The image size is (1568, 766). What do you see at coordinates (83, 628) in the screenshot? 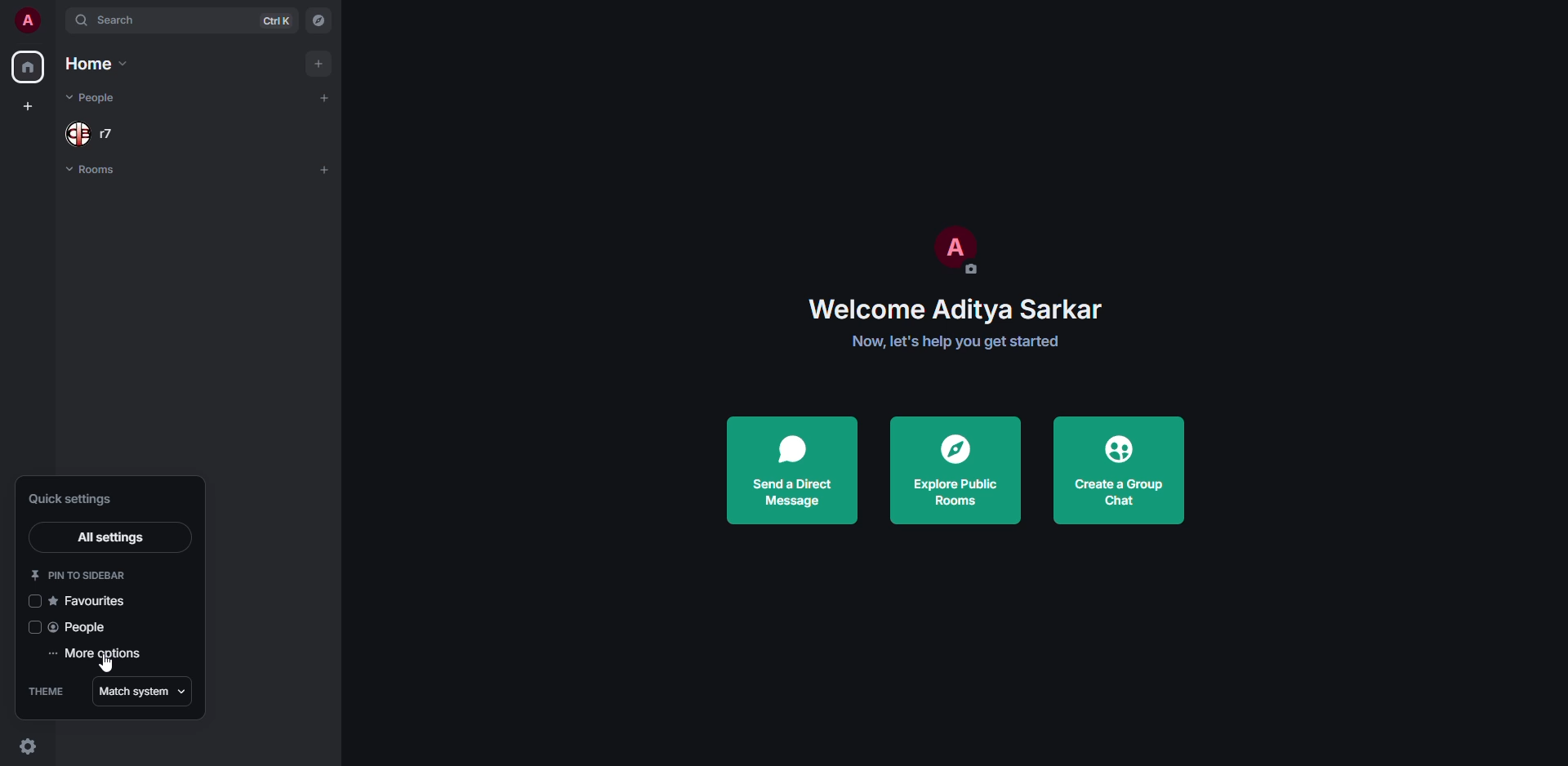
I see `people` at bounding box center [83, 628].